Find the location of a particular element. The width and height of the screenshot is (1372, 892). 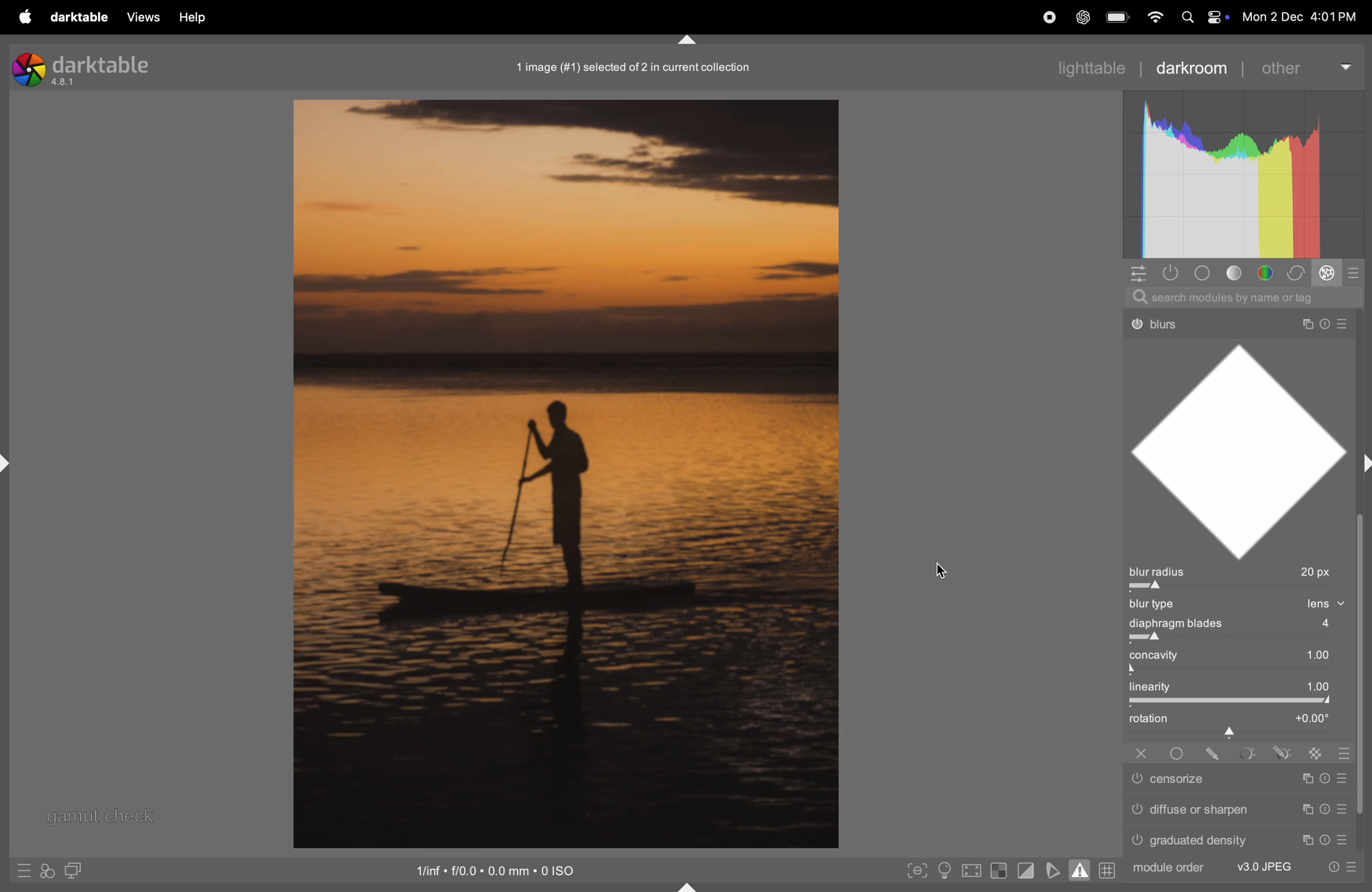

modes is located at coordinates (1357, 272).